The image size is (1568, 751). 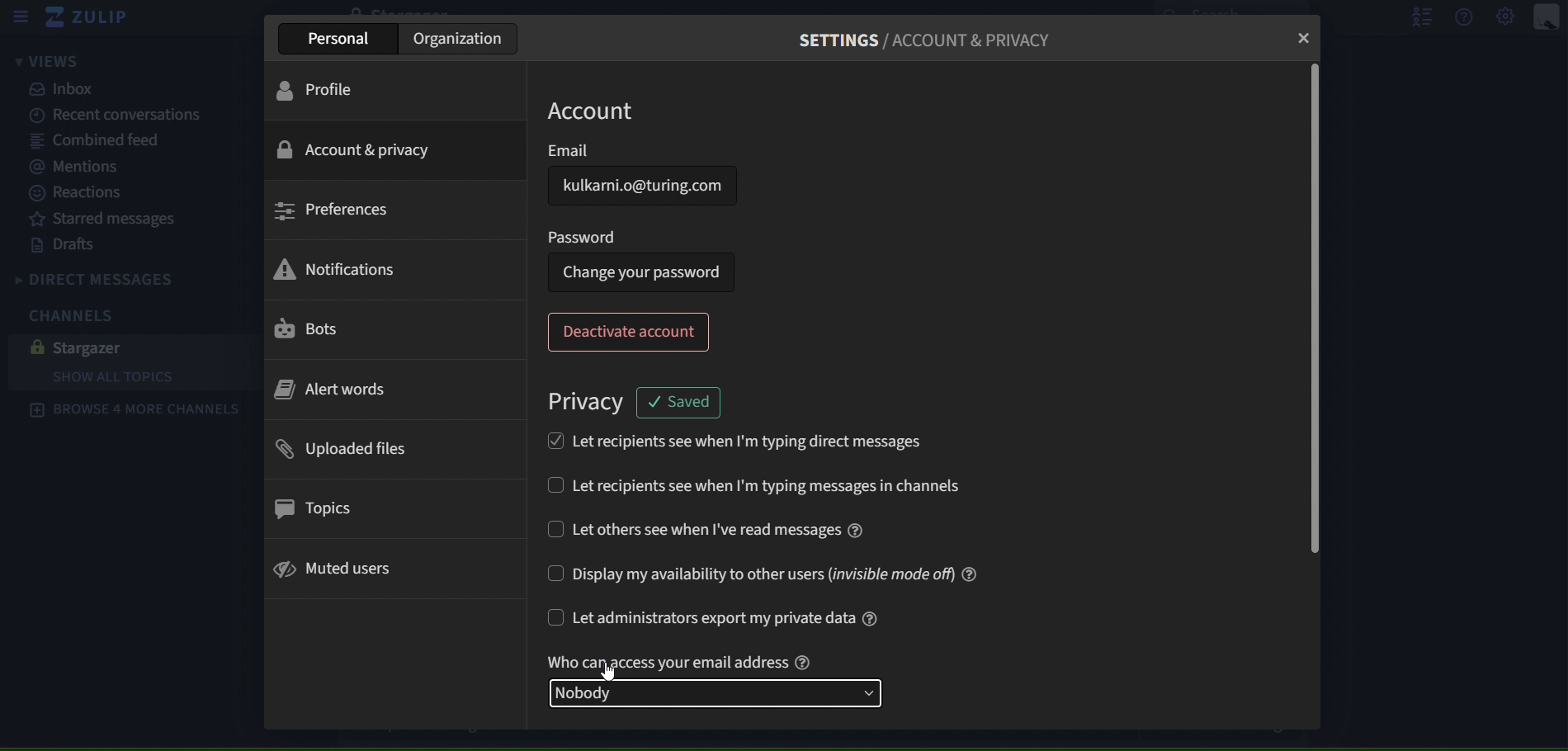 What do you see at coordinates (97, 142) in the screenshot?
I see `combined feed` at bounding box center [97, 142].